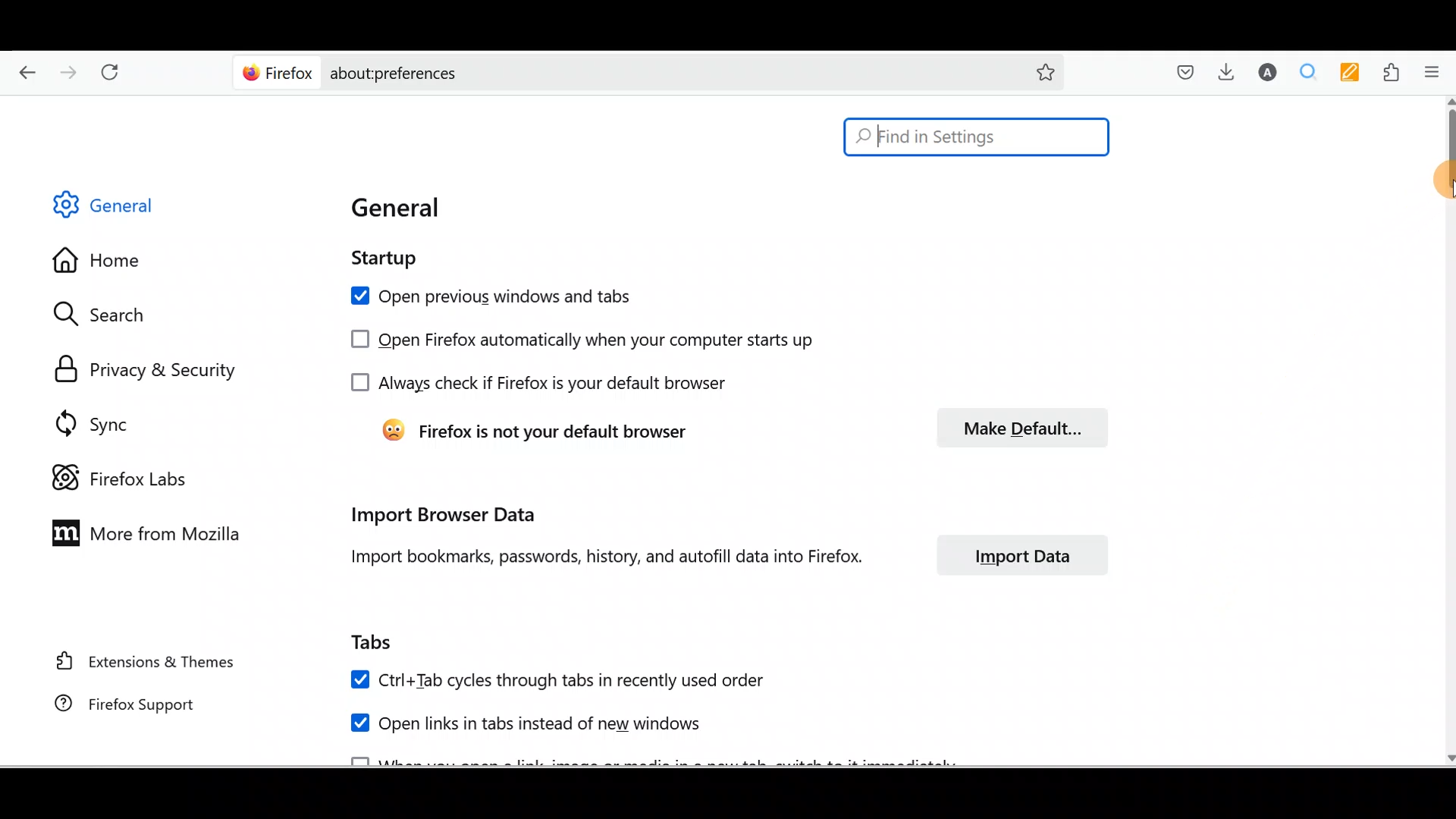 The width and height of the screenshot is (1456, 819). Describe the element at coordinates (1435, 181) in the screenshot. I see `cursor` at that location.